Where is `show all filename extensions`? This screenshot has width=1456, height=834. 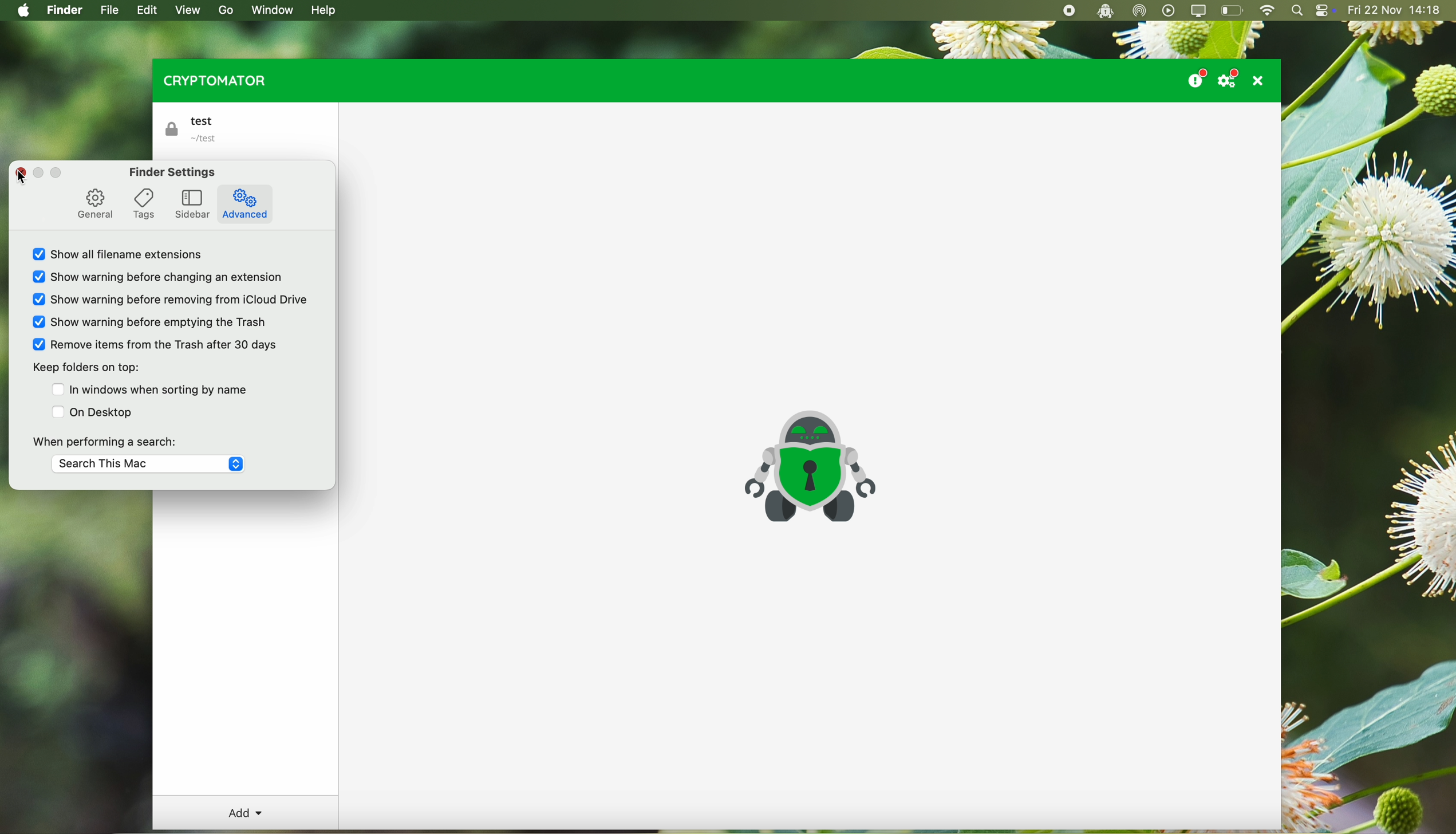 show all filename extensions is located at coordinates (125, 257).